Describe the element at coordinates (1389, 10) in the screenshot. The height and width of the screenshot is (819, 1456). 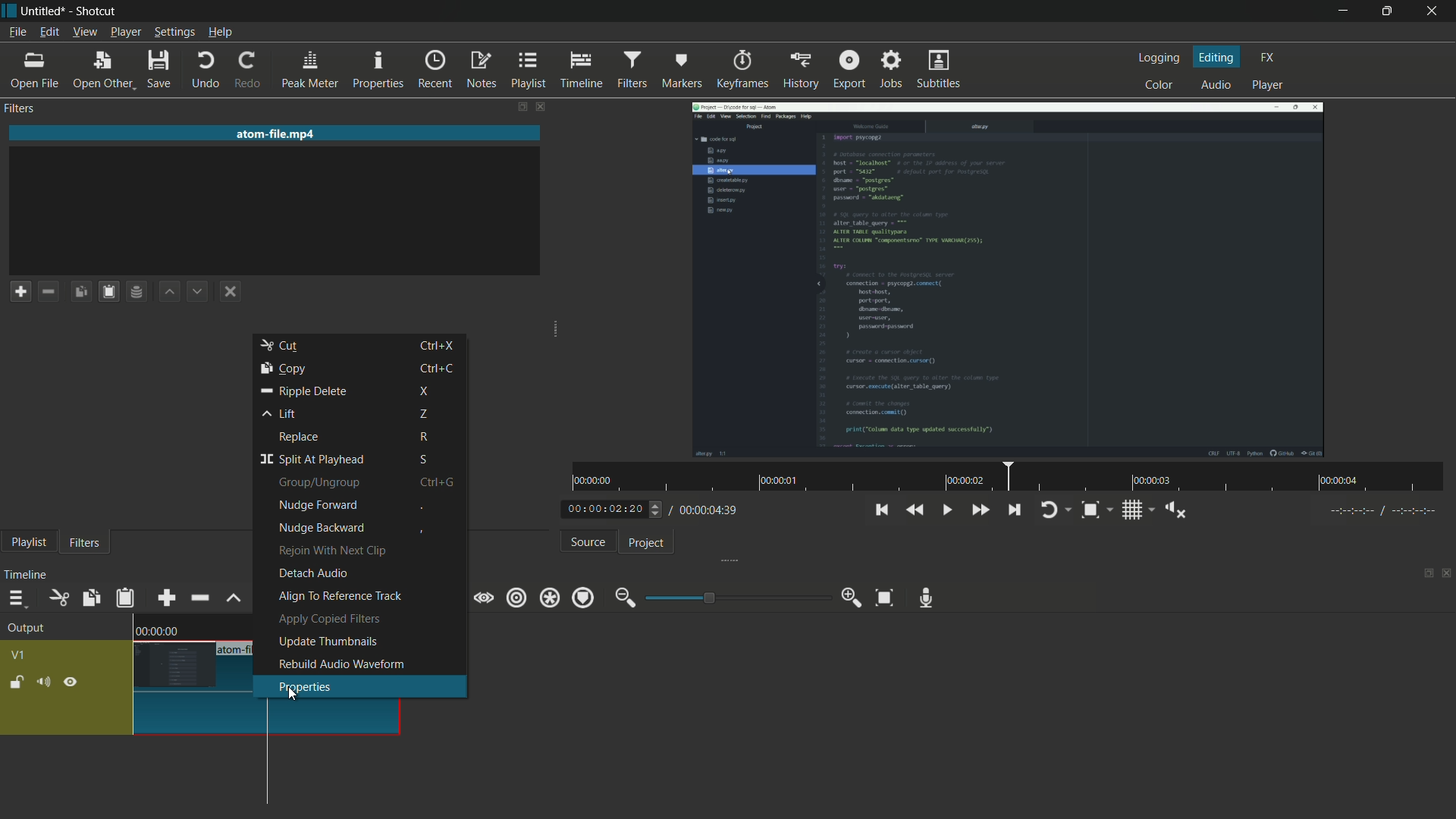
I see `maximize` at that location.